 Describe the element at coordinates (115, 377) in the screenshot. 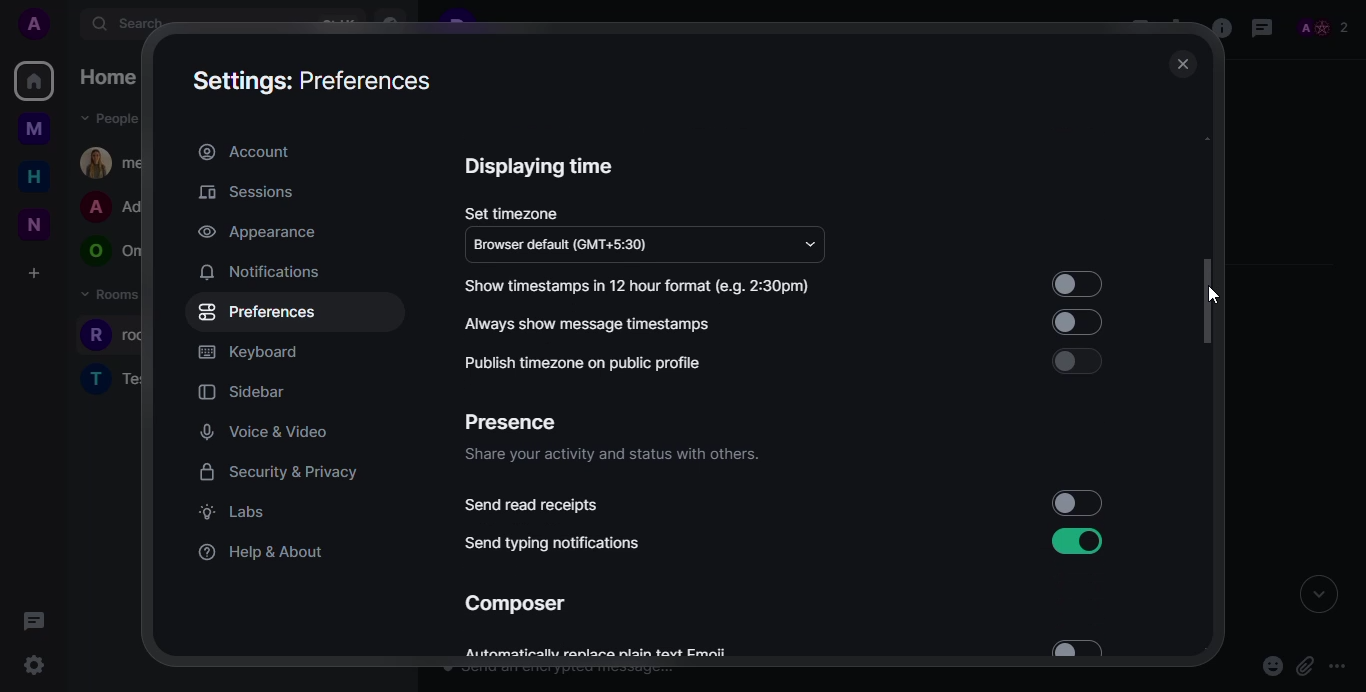

I see `room` at that location.